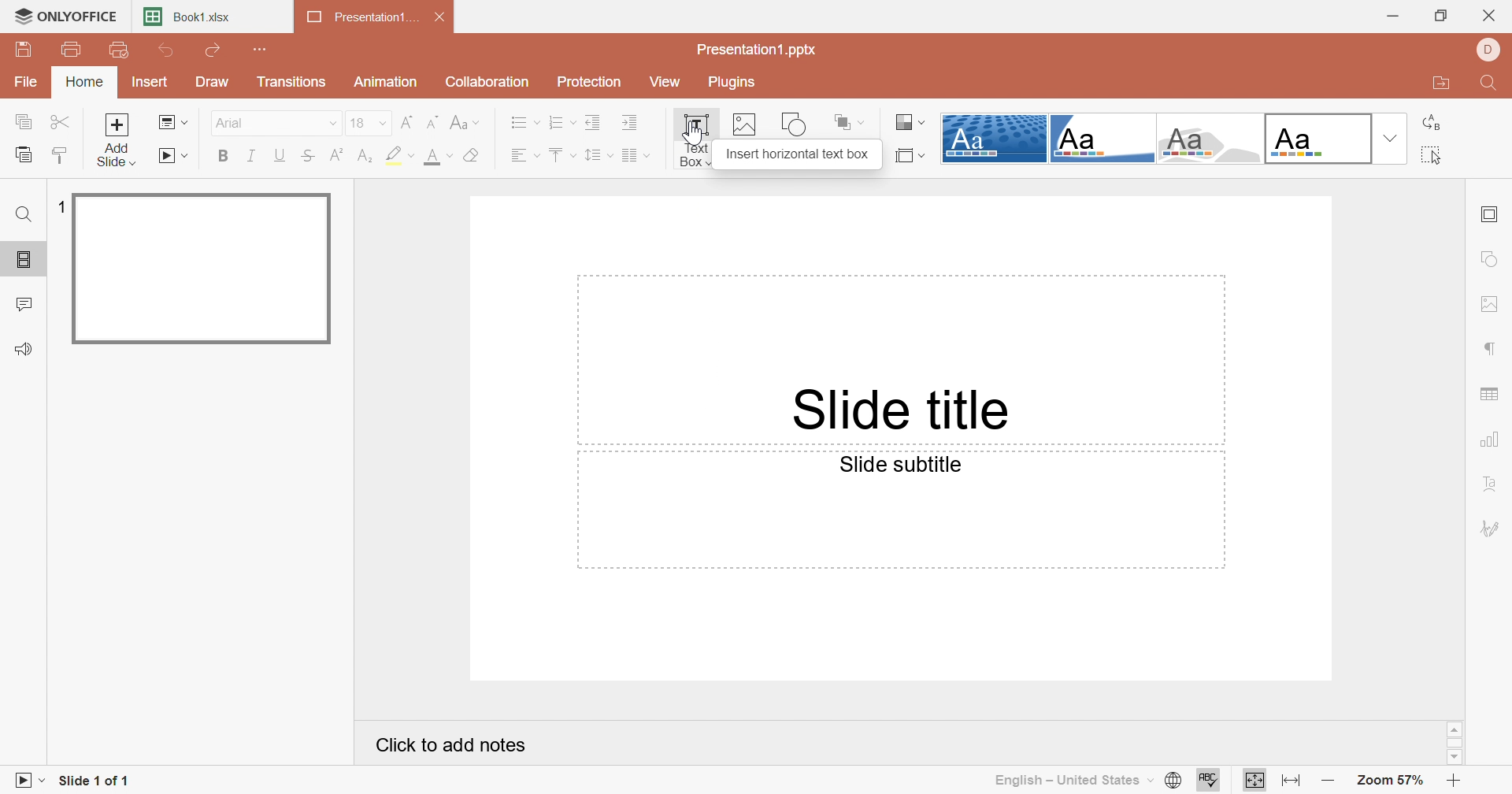 The height and width of the screenshot is (794, 1512). Describe the element at coordinates (1073, 783) in the screenshot. I see `English - United States` at that location.